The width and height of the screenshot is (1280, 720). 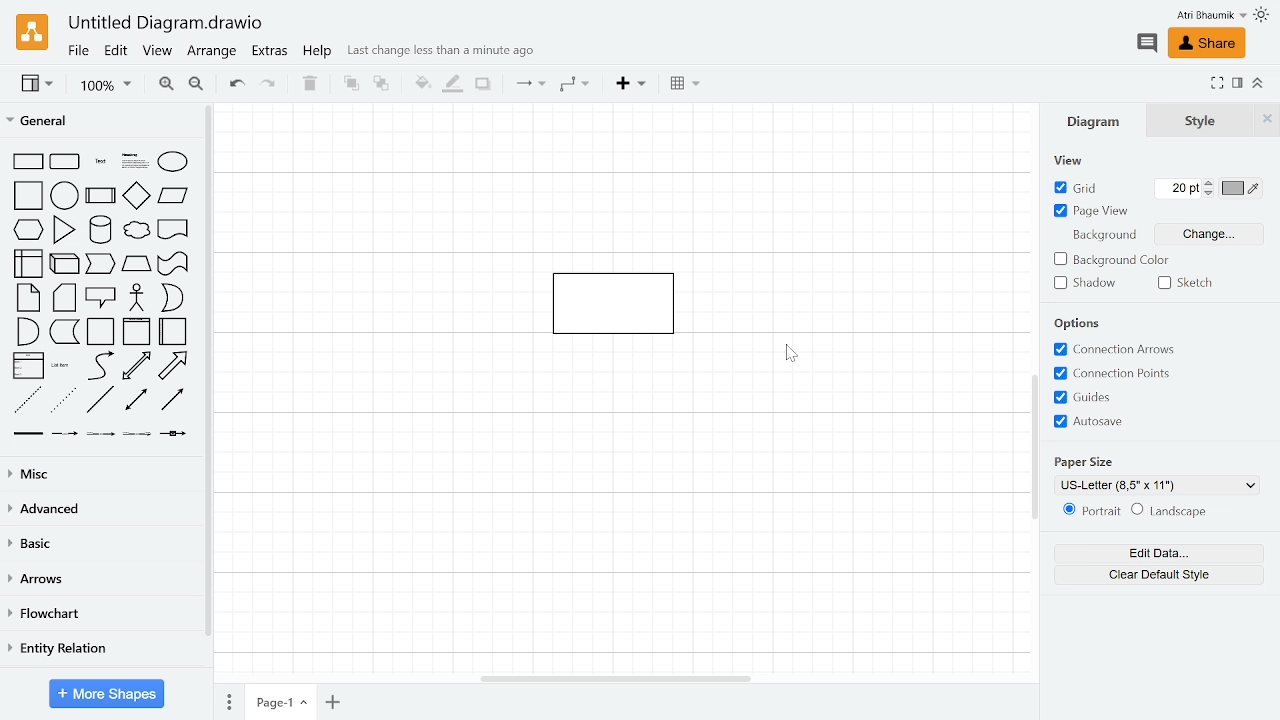 I want to click on Basic, so click(x=102, y=542).